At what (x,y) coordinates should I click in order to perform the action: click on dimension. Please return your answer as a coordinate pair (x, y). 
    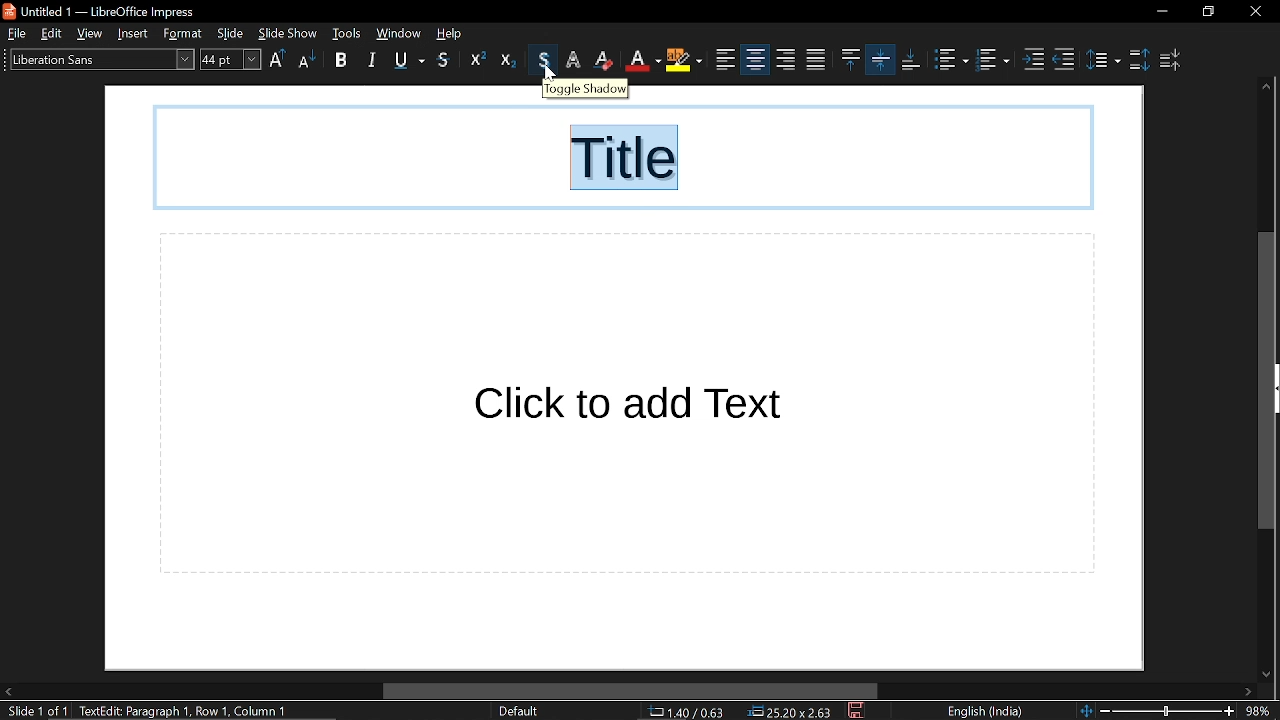
    Looking at the image, I should click on (791, 712).